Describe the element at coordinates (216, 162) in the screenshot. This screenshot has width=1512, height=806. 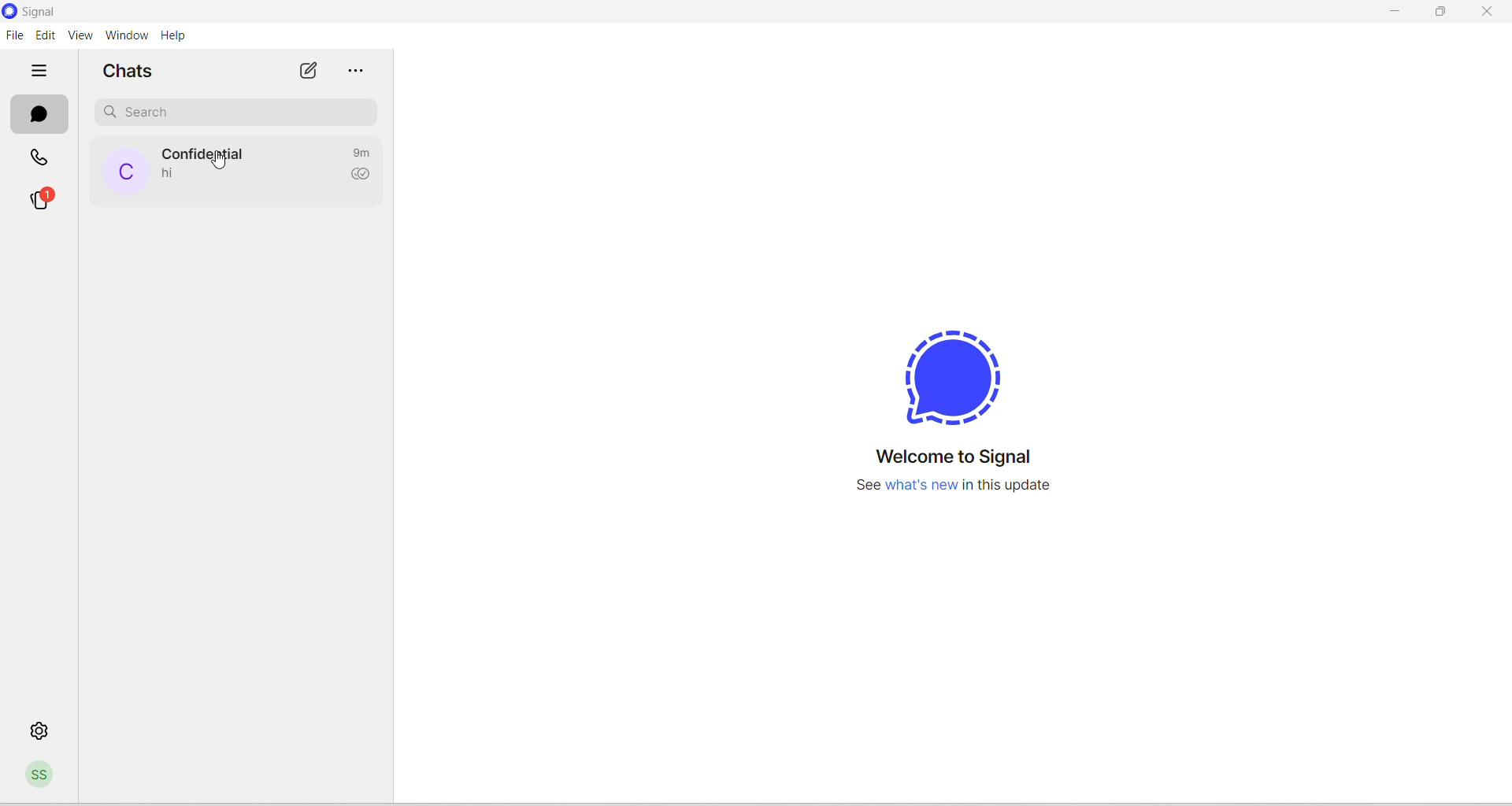
I see `cursor` at that location.